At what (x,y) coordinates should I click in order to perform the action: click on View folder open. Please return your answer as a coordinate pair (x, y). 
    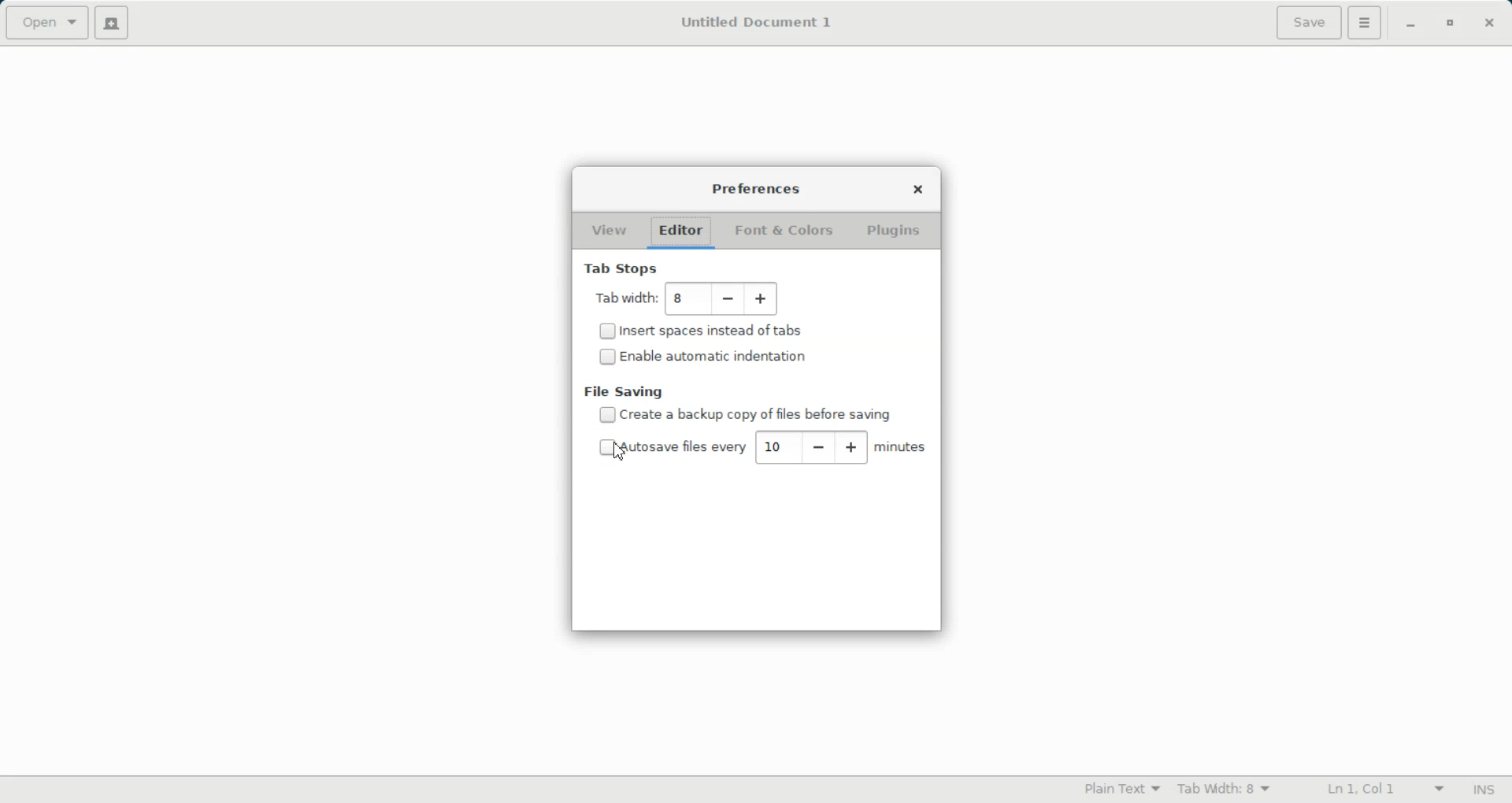
    Looking at the image, I should click on (606, 232).